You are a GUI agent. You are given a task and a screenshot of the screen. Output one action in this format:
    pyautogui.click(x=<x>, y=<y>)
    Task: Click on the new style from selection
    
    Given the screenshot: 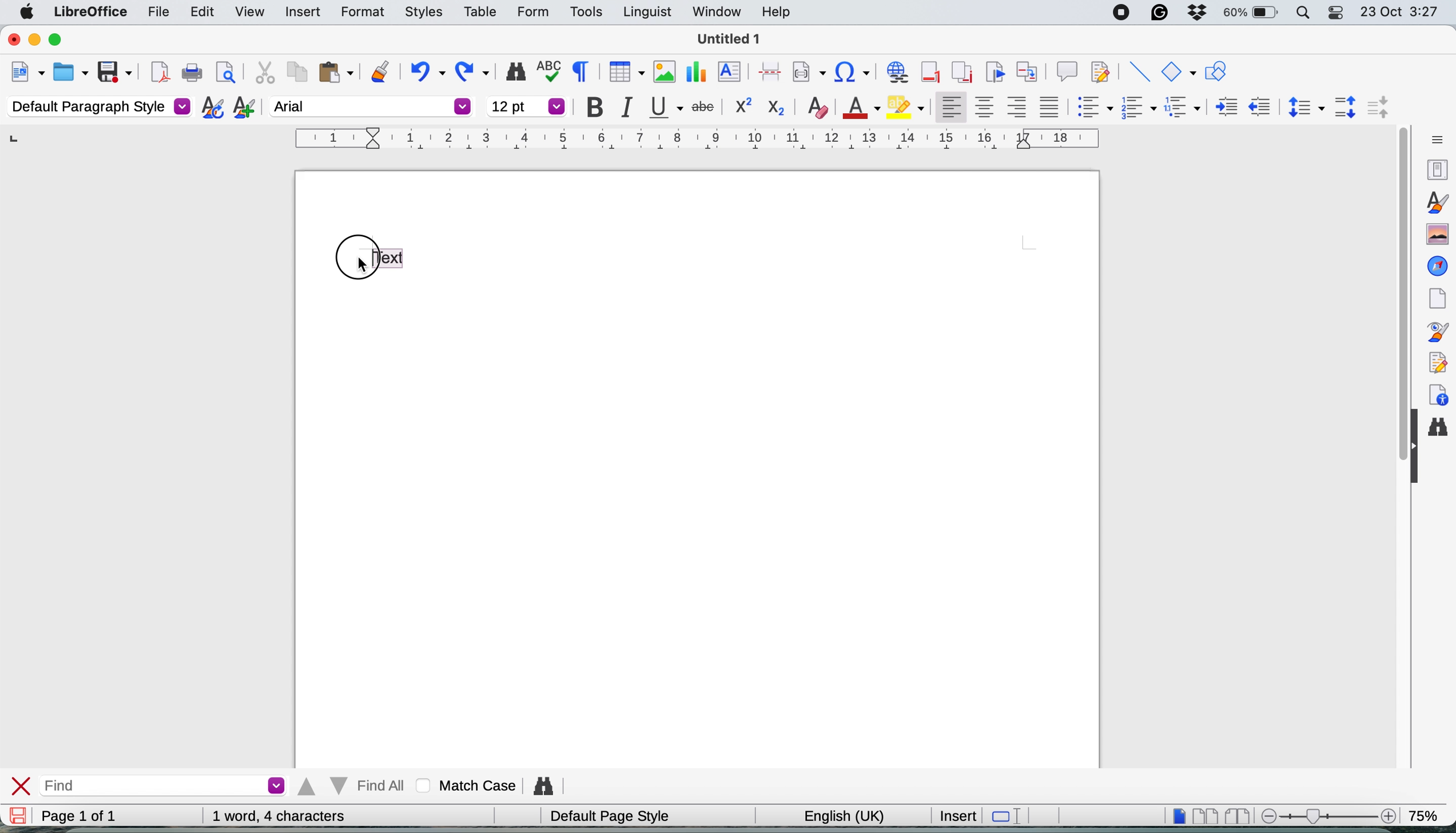 What is the action you would take?
    pyautogui.click(x=242, y=109)
    